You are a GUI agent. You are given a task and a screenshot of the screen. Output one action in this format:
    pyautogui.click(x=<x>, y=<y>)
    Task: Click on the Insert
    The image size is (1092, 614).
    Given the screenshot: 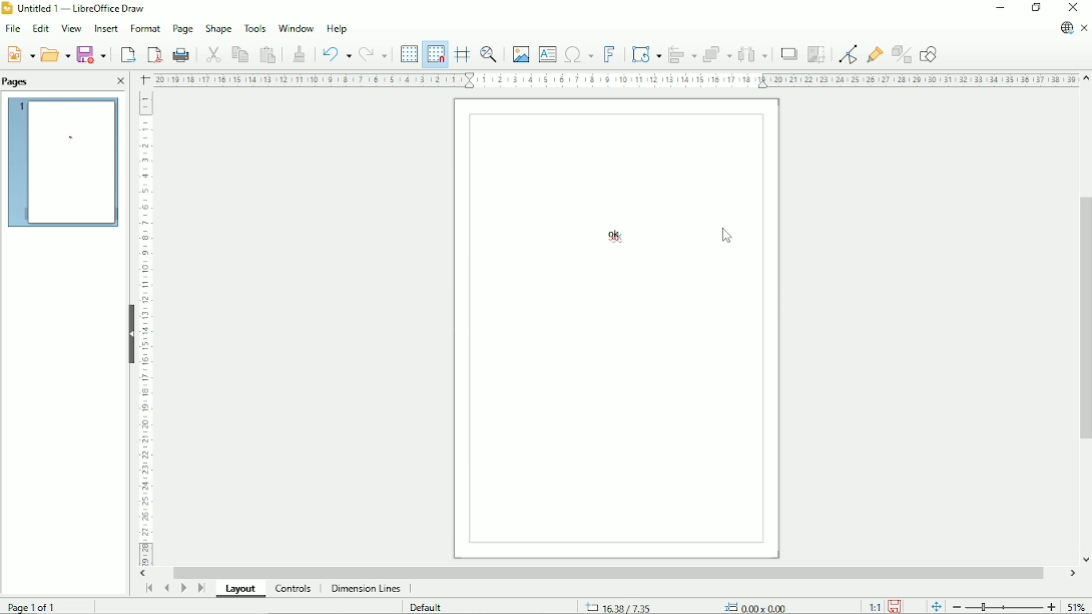 What is the action you would take?
    pyautogui.click(x=105, y=29)
    